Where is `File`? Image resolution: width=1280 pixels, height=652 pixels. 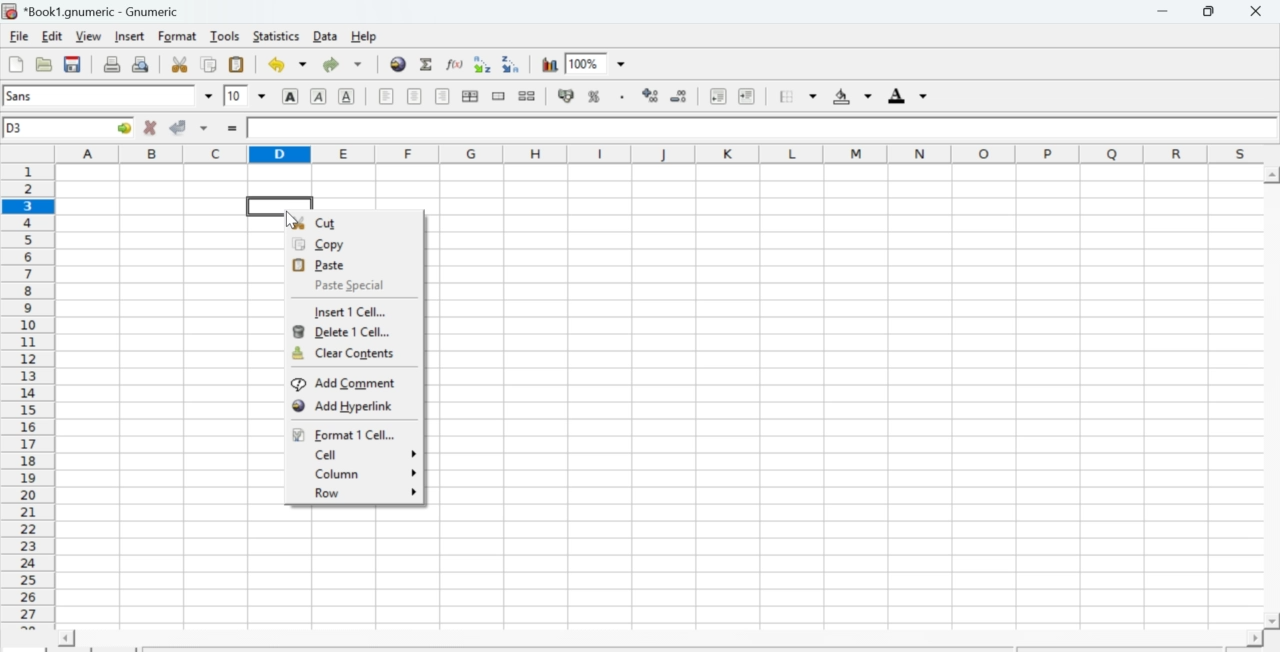 File is located at coordinates (18, 37).